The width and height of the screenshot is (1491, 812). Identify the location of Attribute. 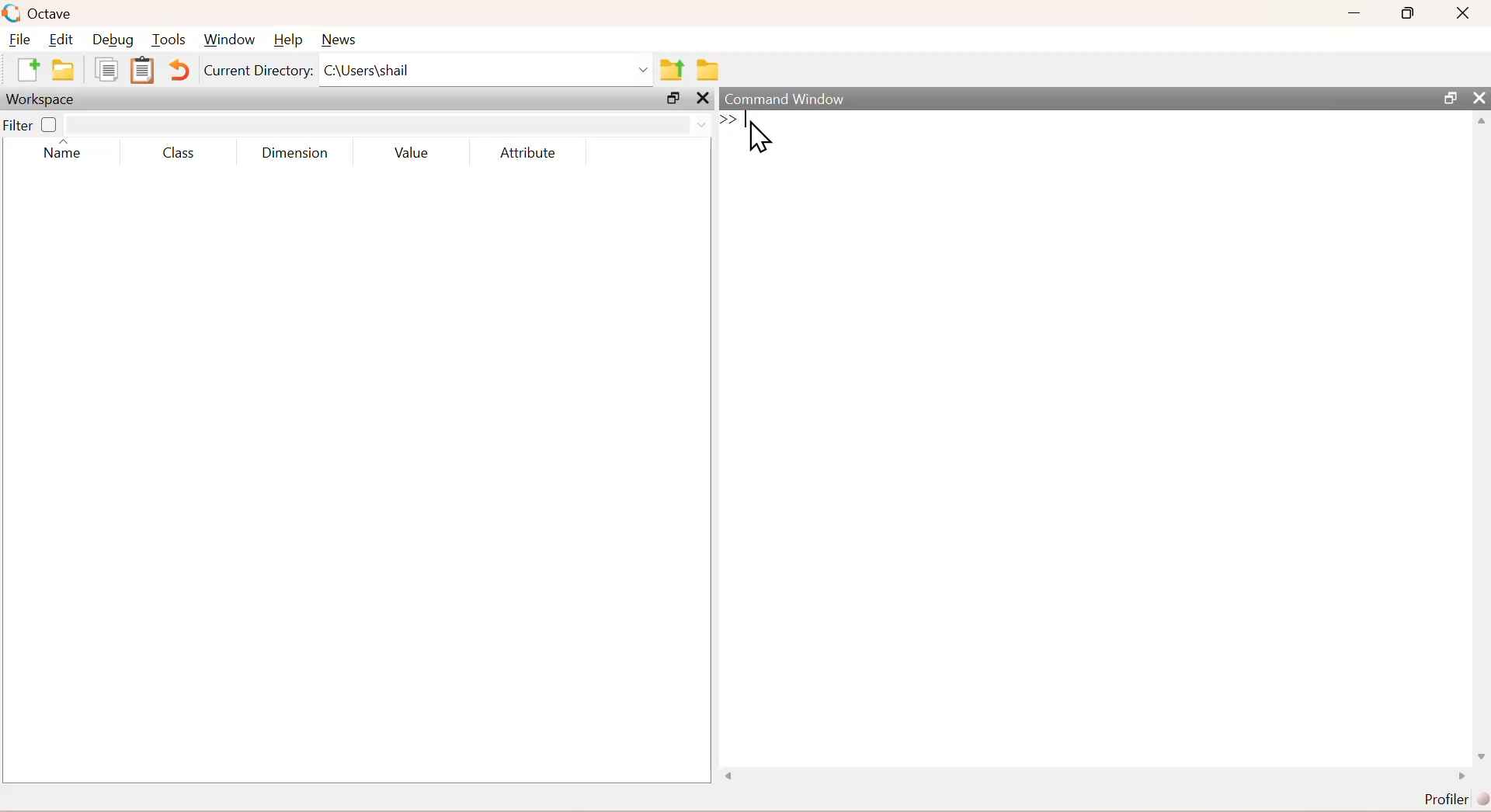
(527, 148).